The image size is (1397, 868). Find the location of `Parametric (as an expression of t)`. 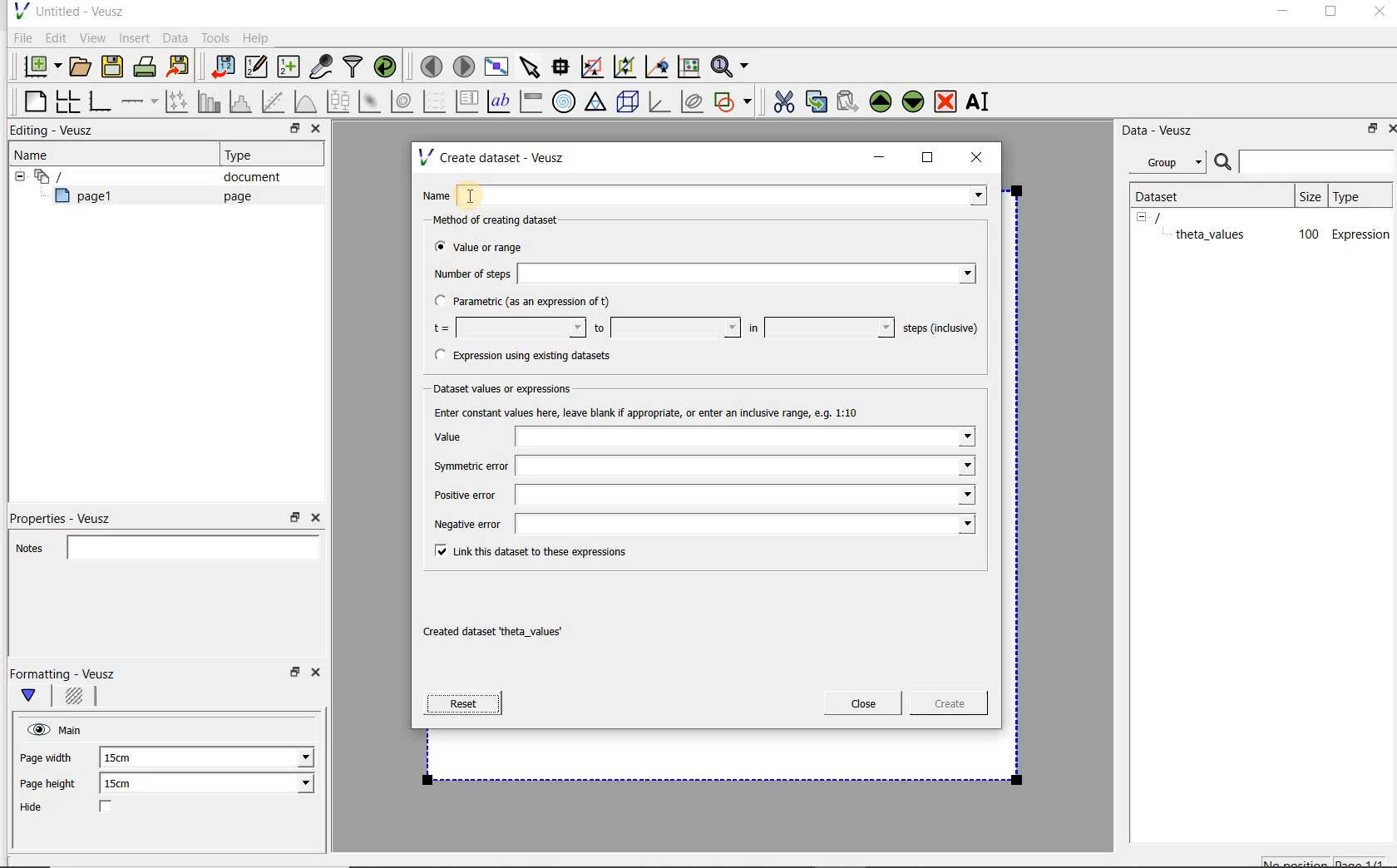

Parametric (as an expression of t) is located at coordinates (530, 302).